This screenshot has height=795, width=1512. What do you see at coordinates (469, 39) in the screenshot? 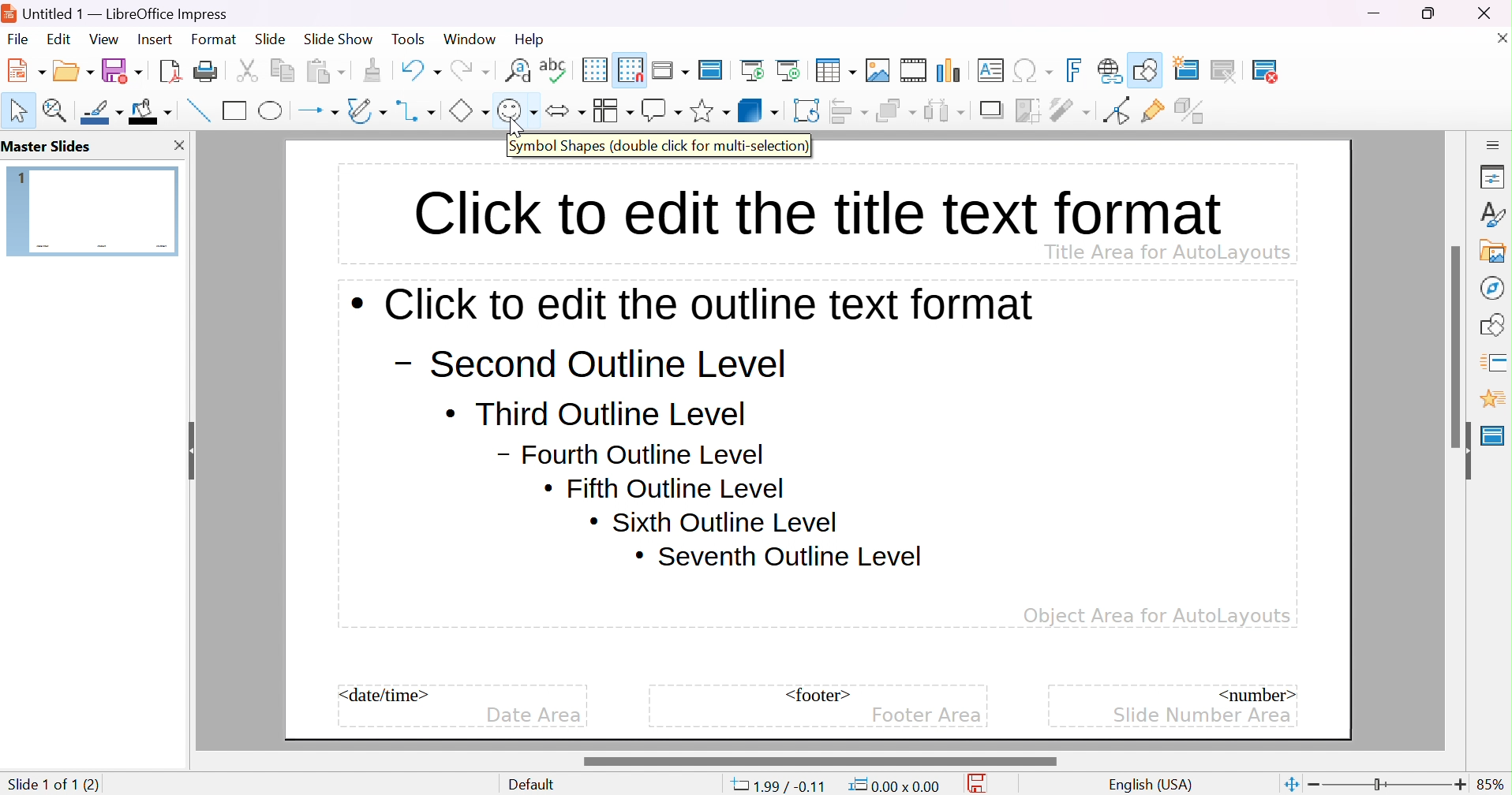
I see `window` at bounding box center [469, 39].